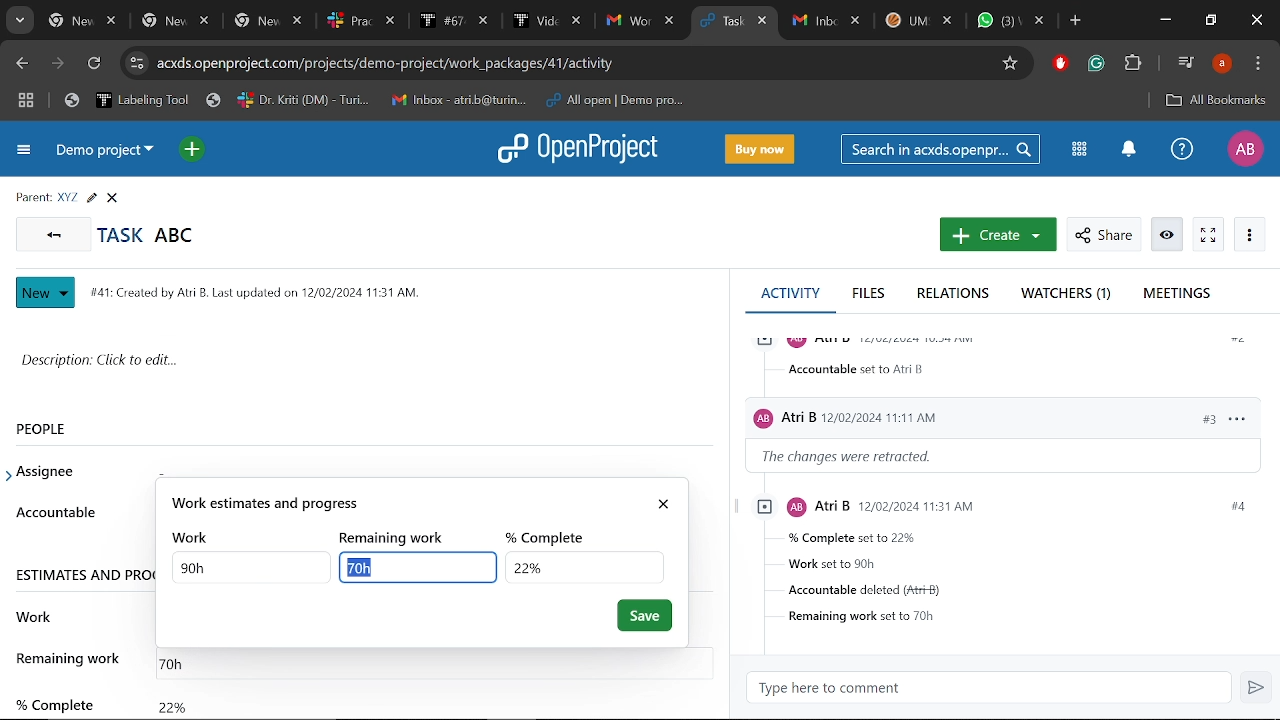  Describe the element at coordinates (942, 414) in the screenshot. I see `Users` at that location.